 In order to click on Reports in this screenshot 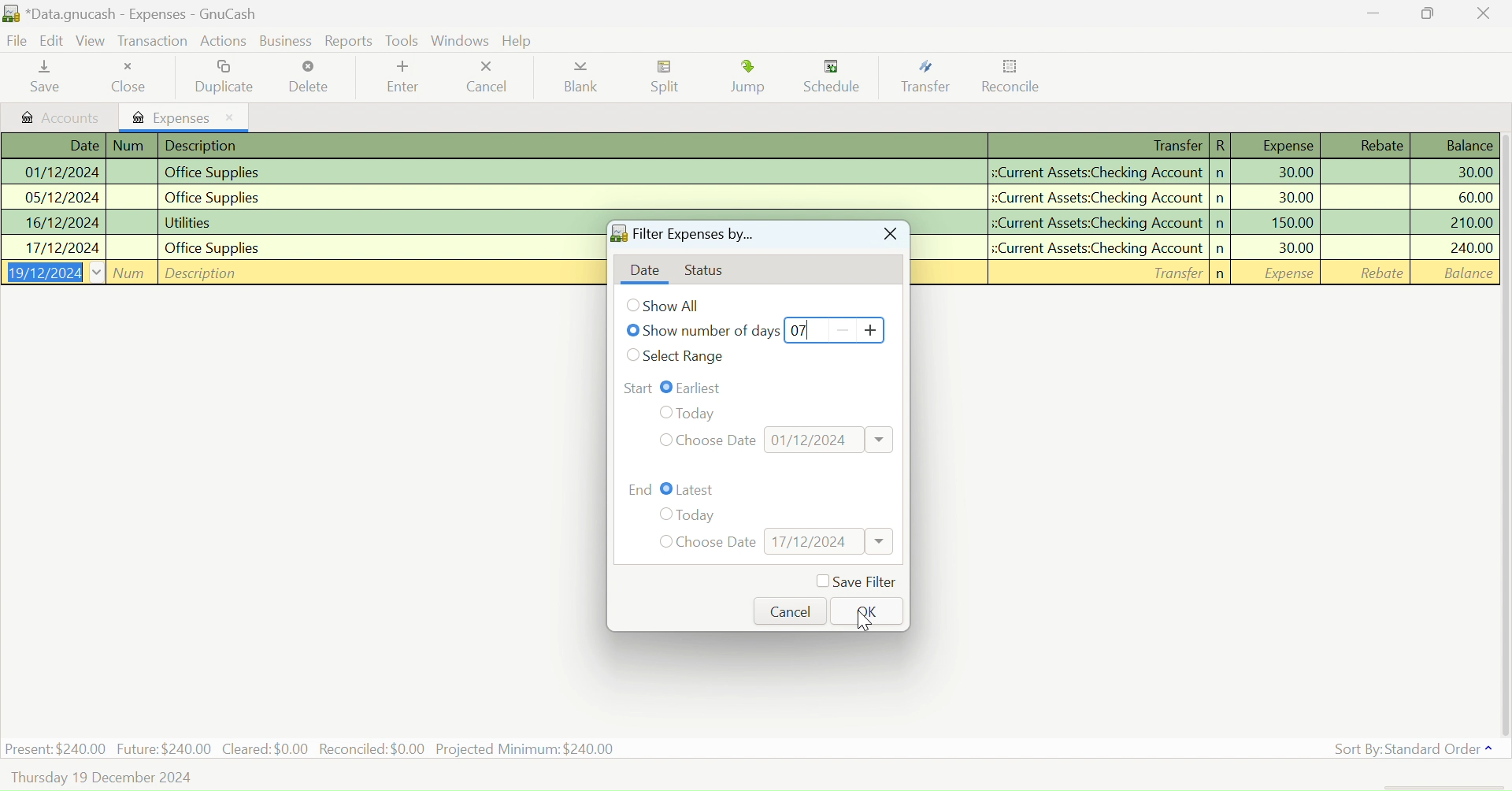, I will do `click(350, 41)`.